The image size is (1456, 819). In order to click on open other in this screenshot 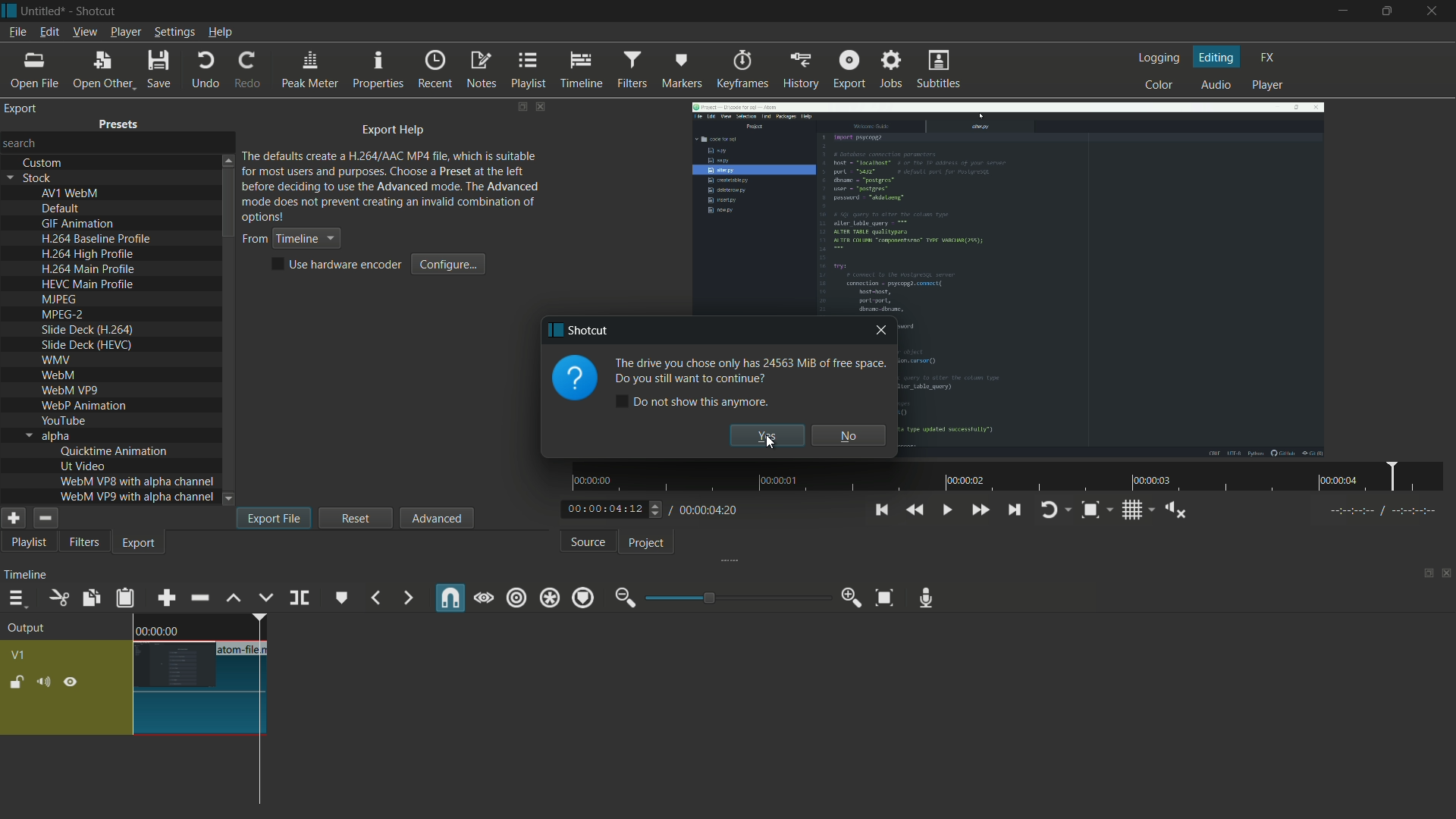, I will do `click(103, 69)`.